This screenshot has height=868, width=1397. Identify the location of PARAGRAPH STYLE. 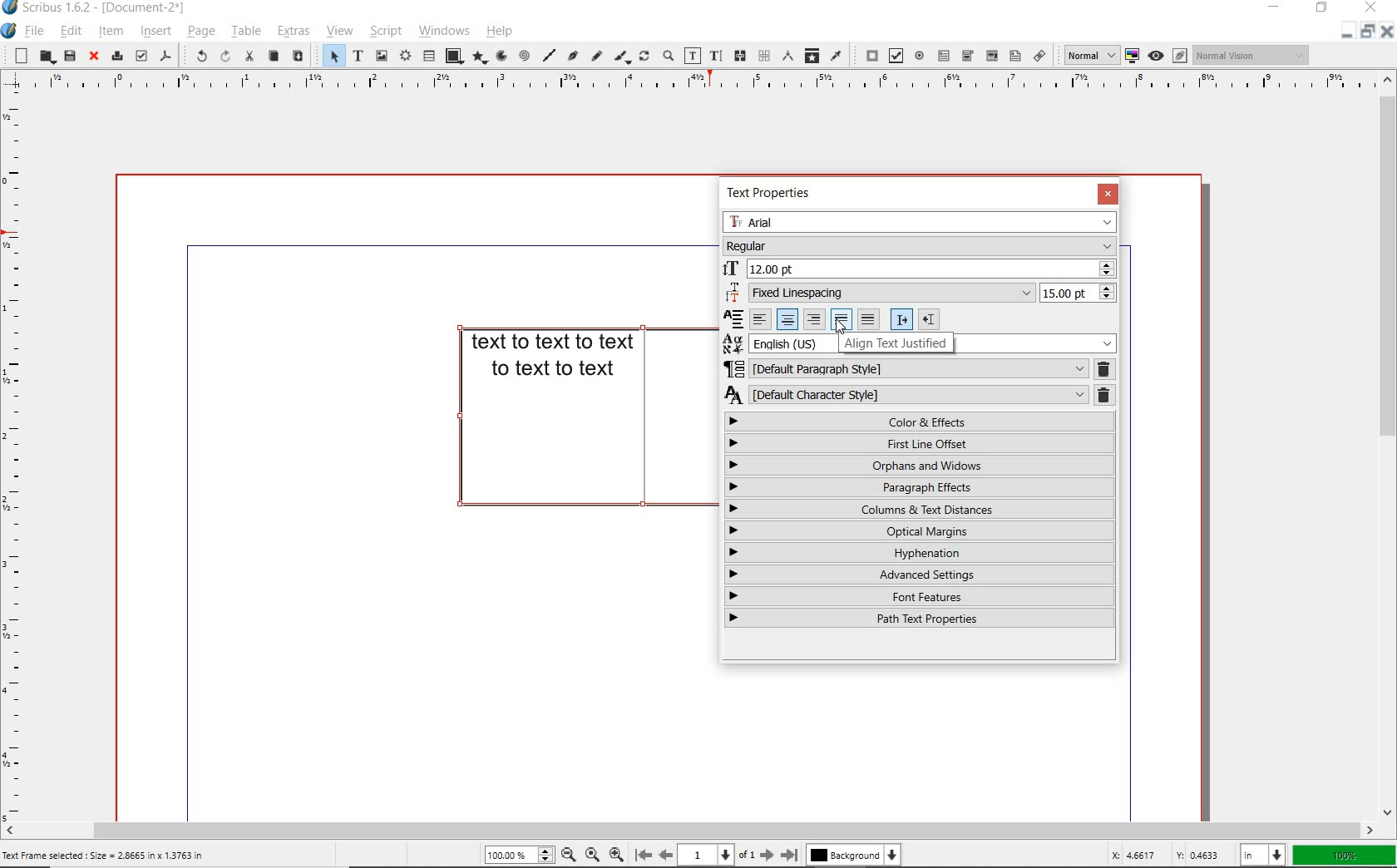
(906, 367).